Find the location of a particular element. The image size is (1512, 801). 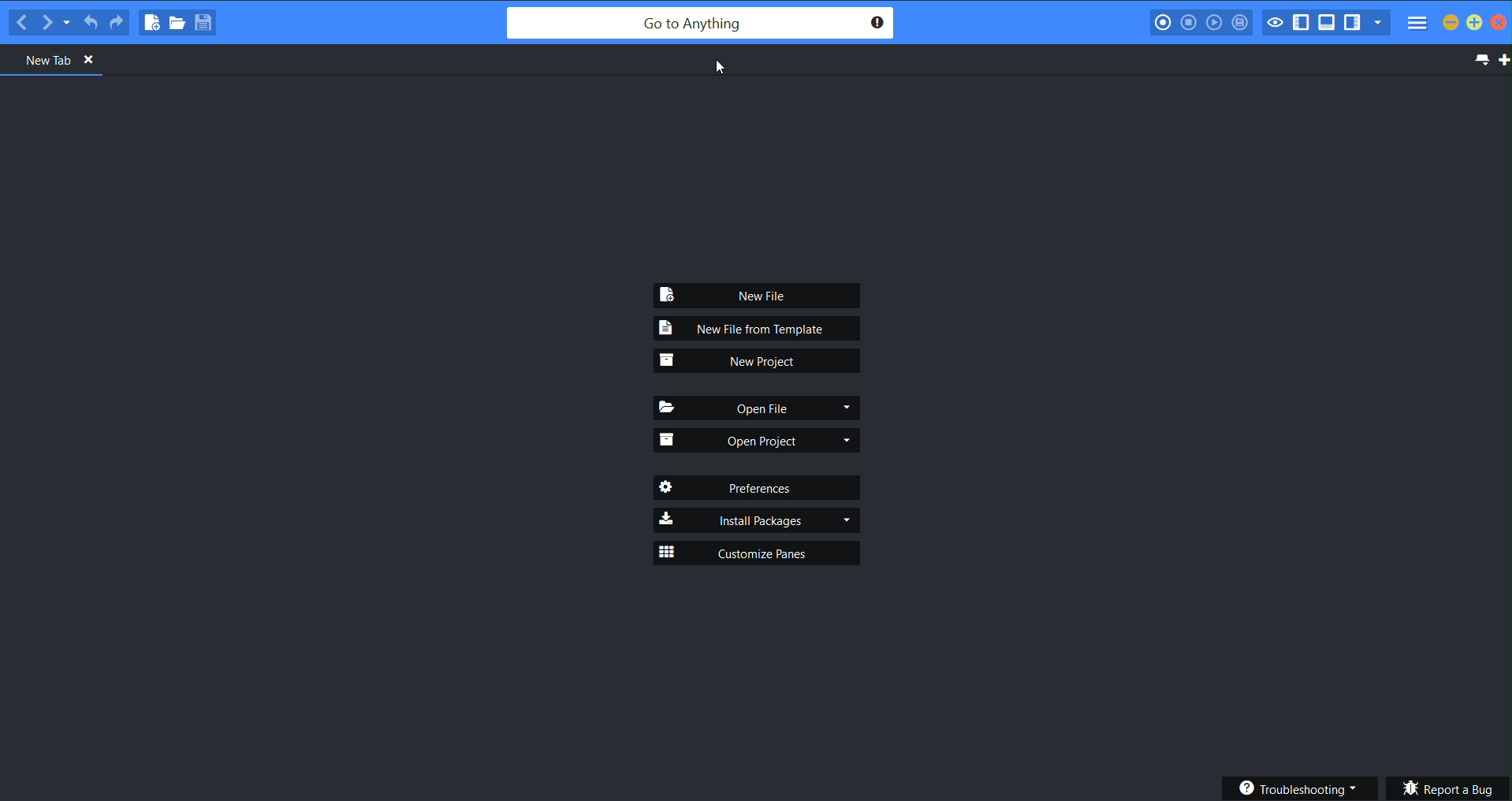

menu is located at coordinates (1418, 23).